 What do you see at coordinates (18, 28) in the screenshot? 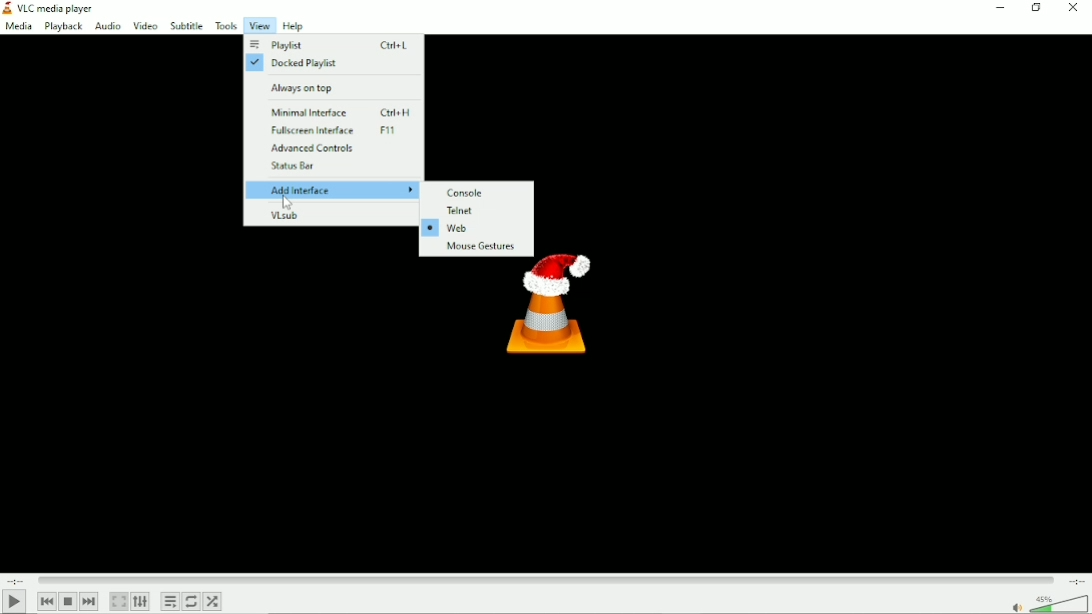
I see `media` at bounding box center [18, 28].